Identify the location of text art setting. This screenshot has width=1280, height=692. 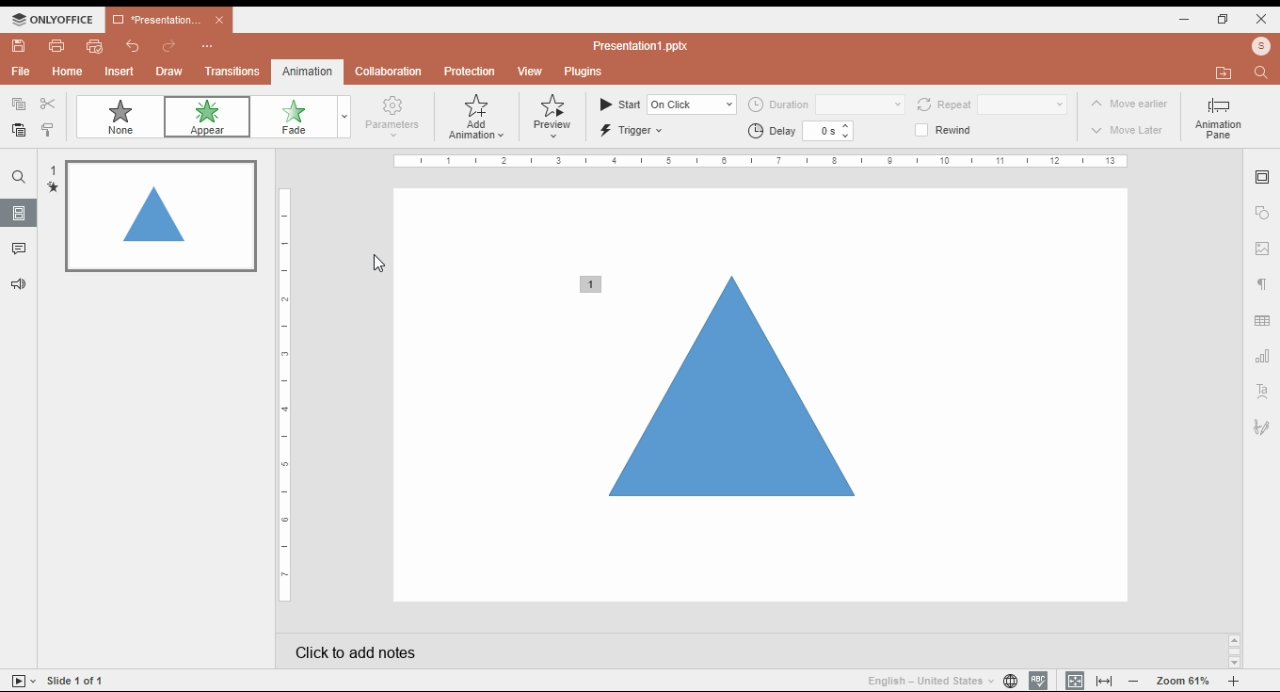
(1262, 391).